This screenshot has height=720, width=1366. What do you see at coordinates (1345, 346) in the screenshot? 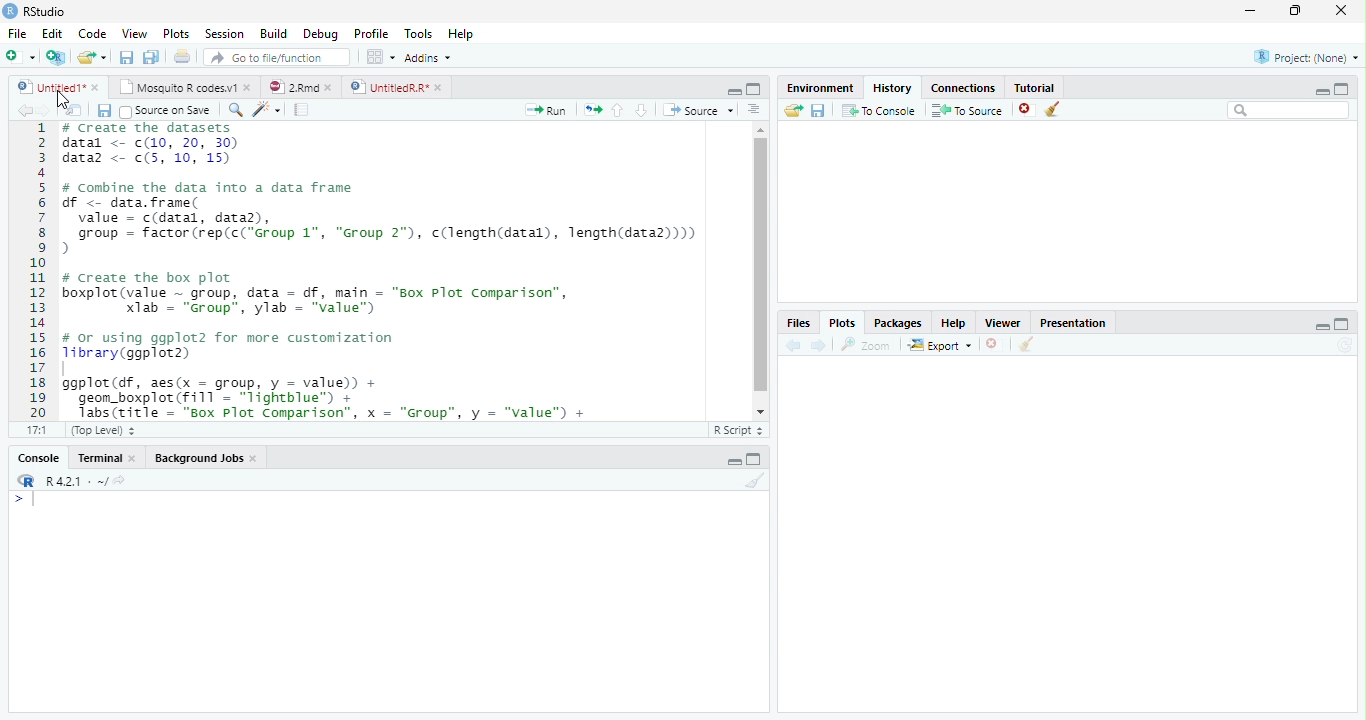
I see `Refresh current plot` at bounding box center [1345, 346].